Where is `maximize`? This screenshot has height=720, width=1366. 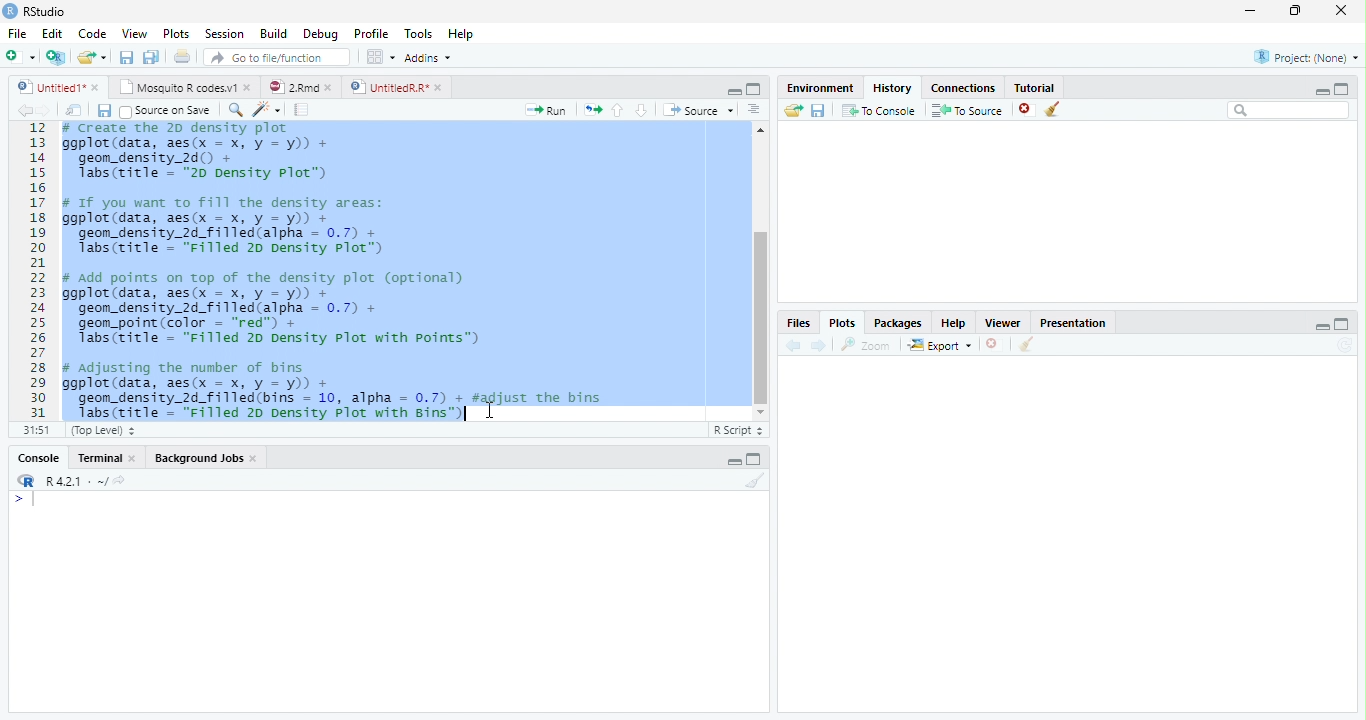
maximize is located at coordinates (1344, 323).